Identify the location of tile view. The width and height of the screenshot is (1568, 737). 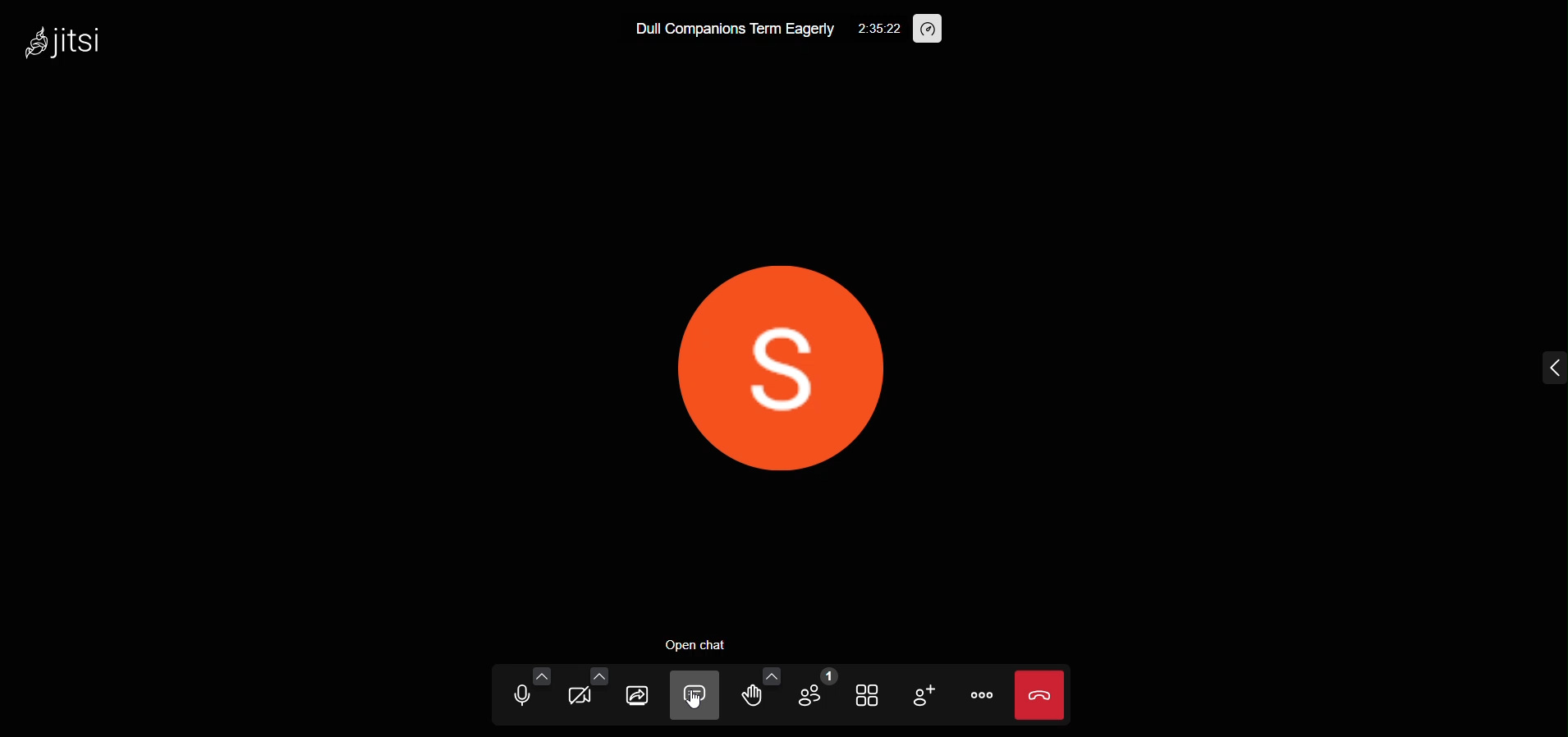
(866, 695).